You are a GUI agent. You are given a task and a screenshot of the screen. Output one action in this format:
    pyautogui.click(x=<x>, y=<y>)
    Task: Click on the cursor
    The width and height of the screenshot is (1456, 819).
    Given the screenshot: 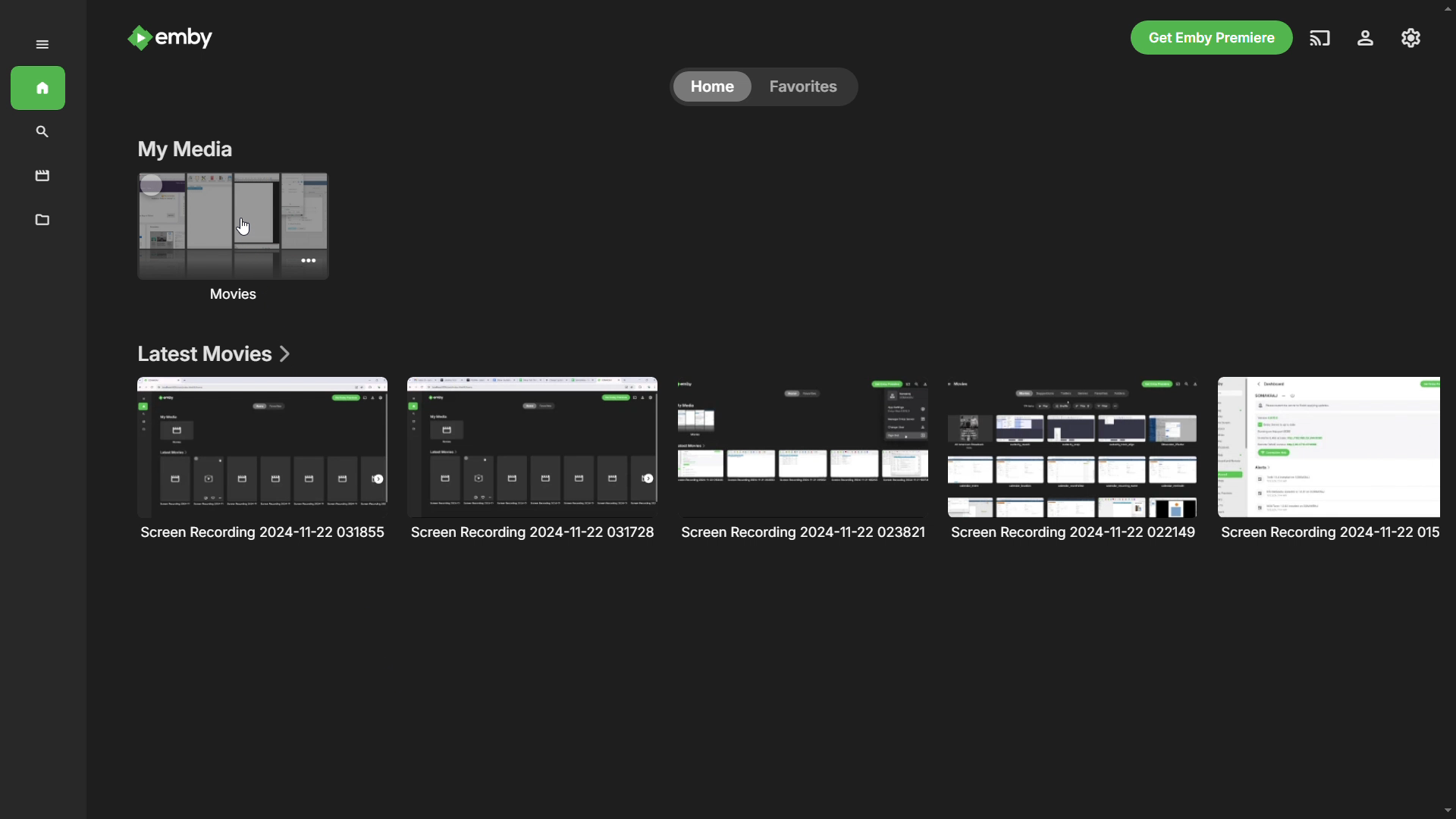 What is the action you would take?
    pyautogui.click(x=243, y=227)
    